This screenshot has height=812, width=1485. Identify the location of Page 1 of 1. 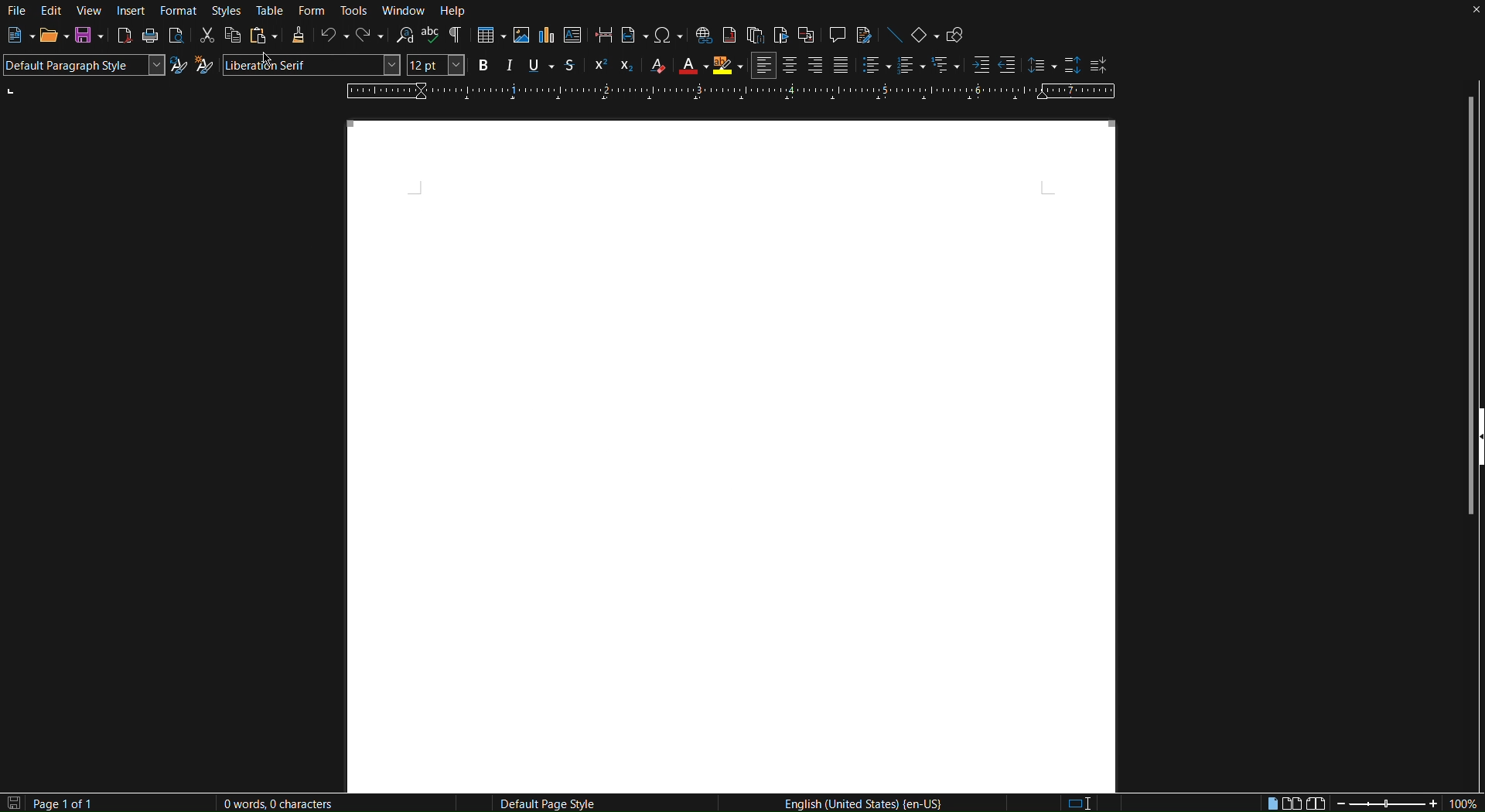
(80, 802).